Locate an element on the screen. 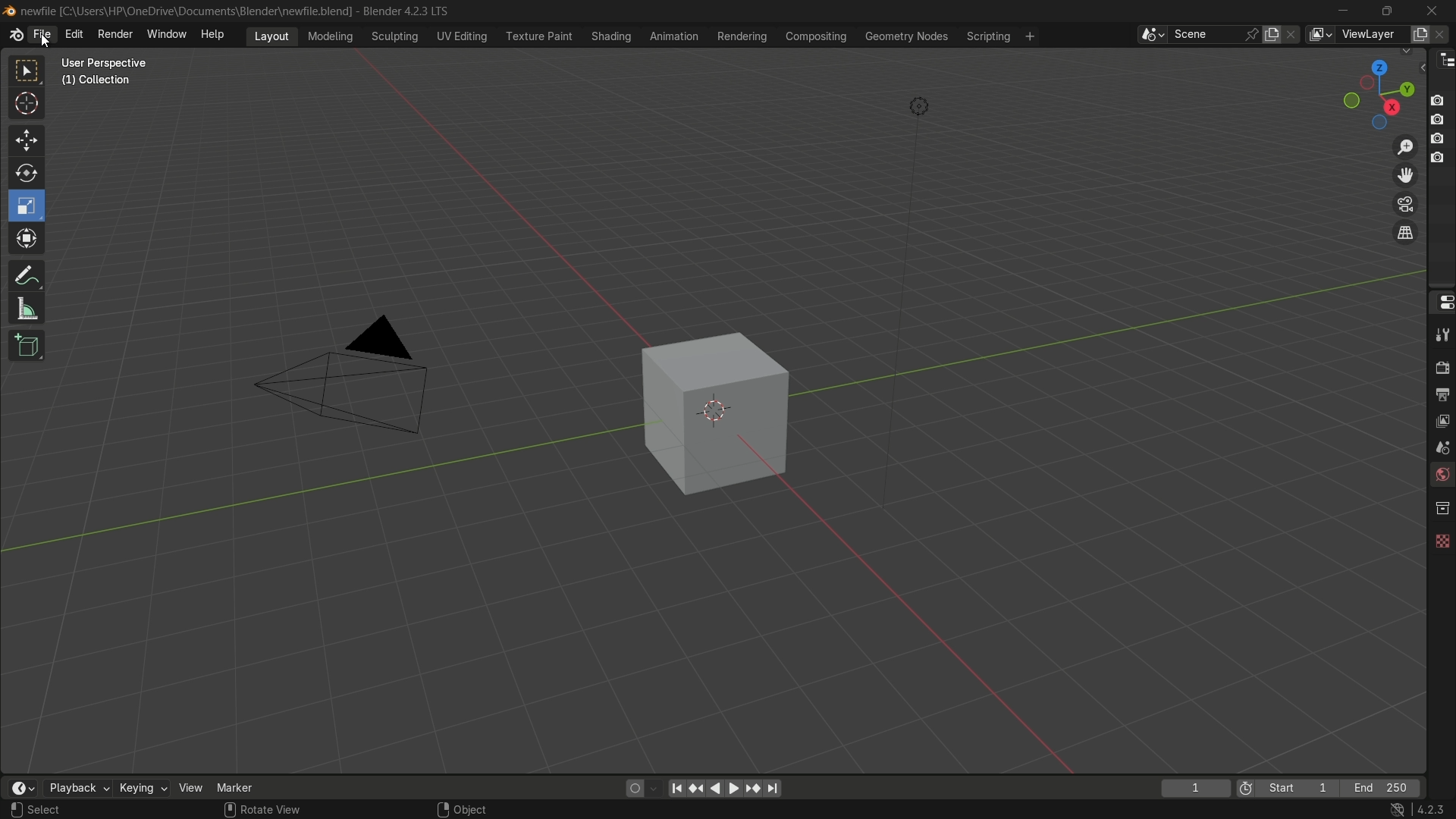  timeline is located at coordinates (22, 788).